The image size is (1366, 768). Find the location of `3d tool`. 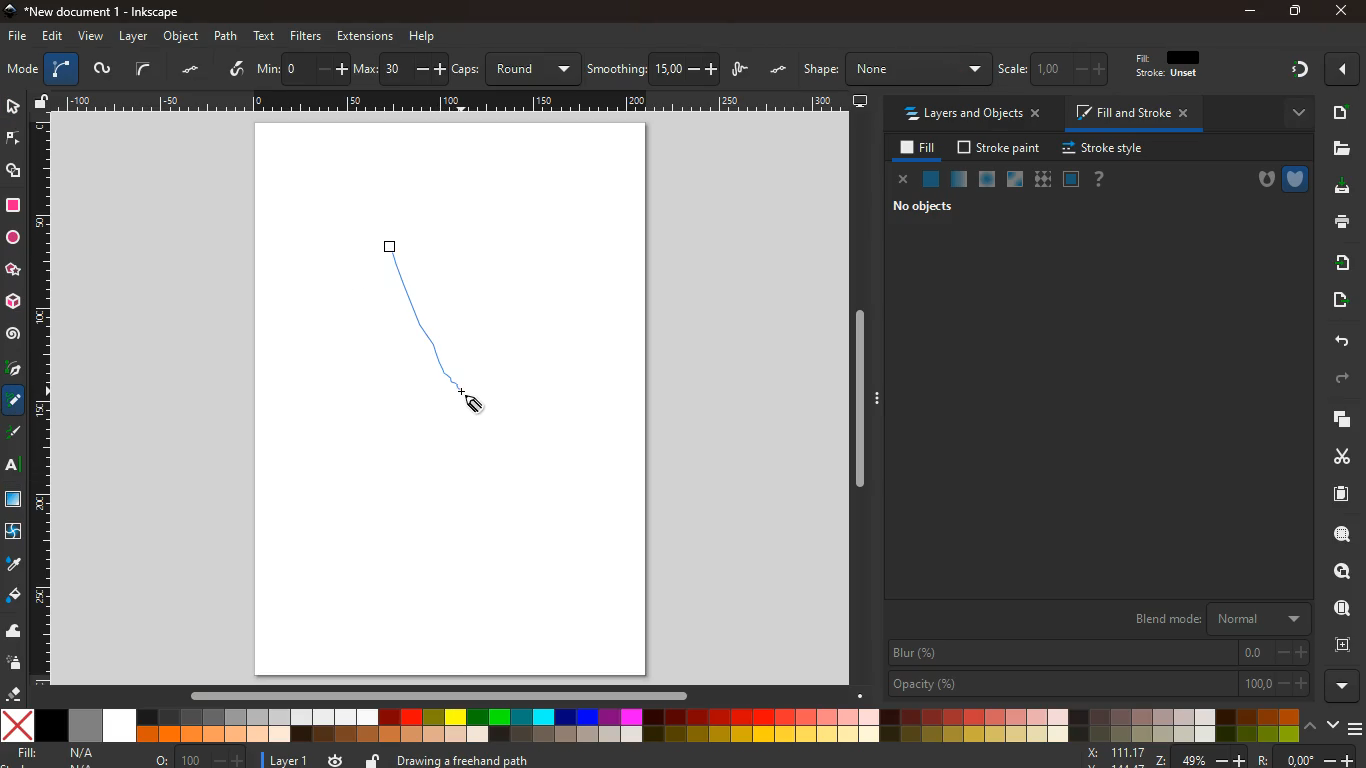

3d tool is located at coordinates (12, 302).